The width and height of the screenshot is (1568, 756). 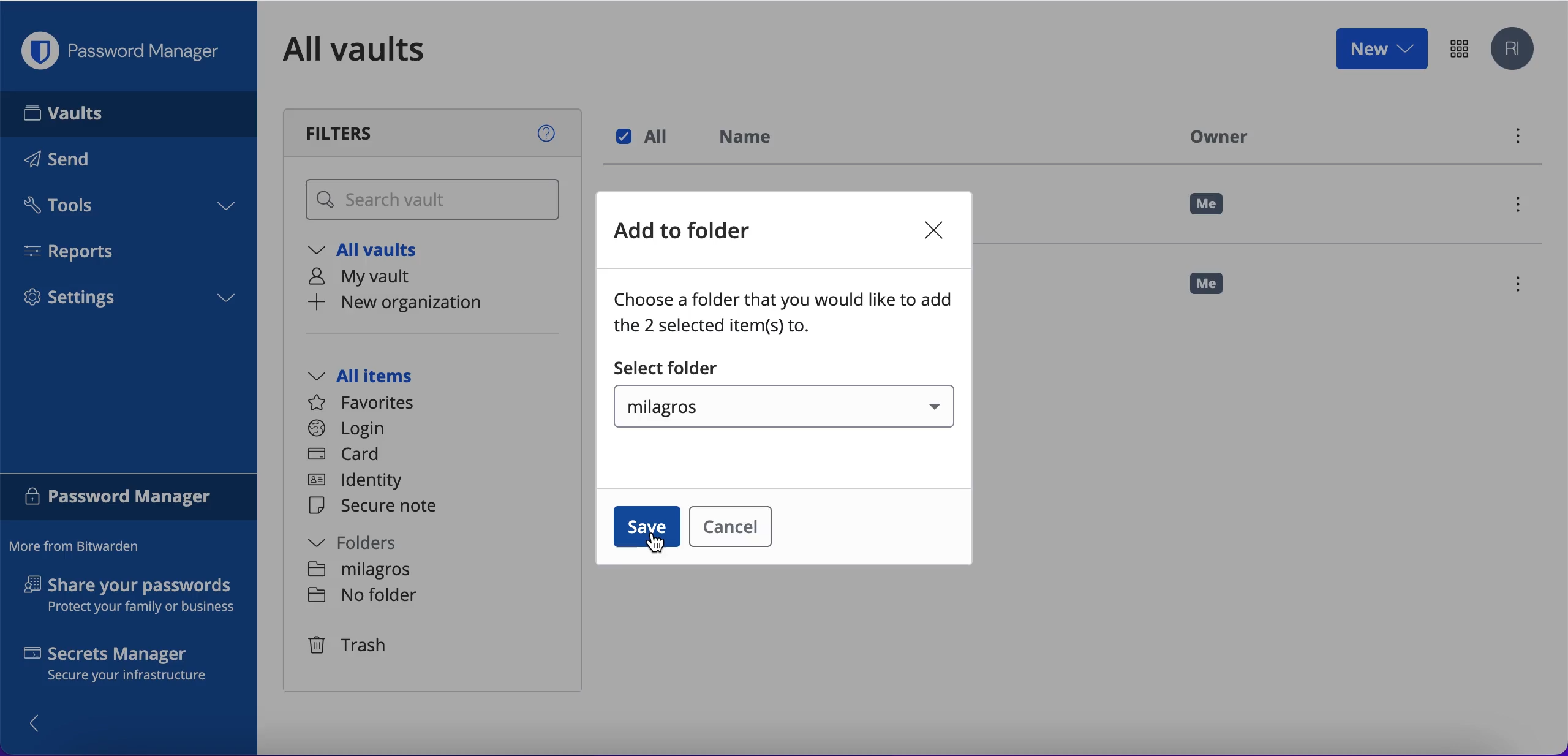 What do you see at coordinates (78, 251) in the screenshot?
I see `reports` at bounding box center [78, 251].